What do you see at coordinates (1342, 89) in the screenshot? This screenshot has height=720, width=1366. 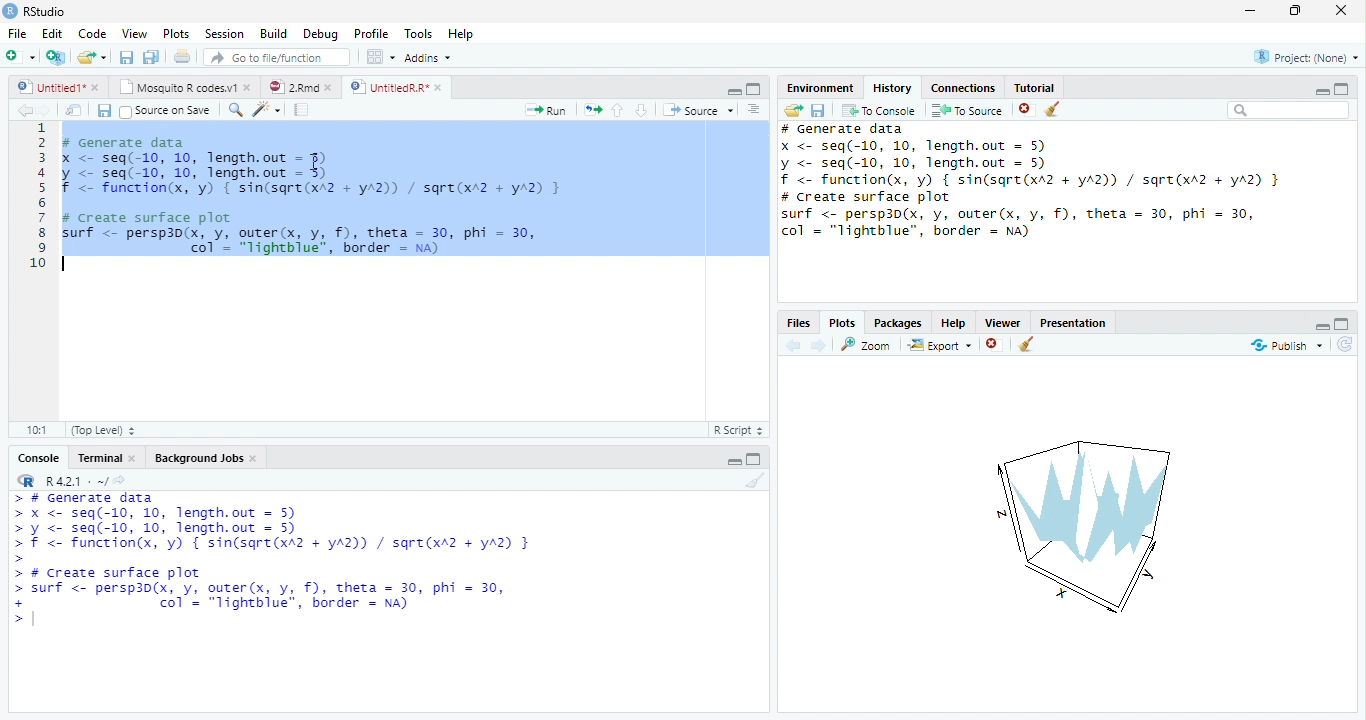 I see `maximize` at bounding box center [1342, 89].